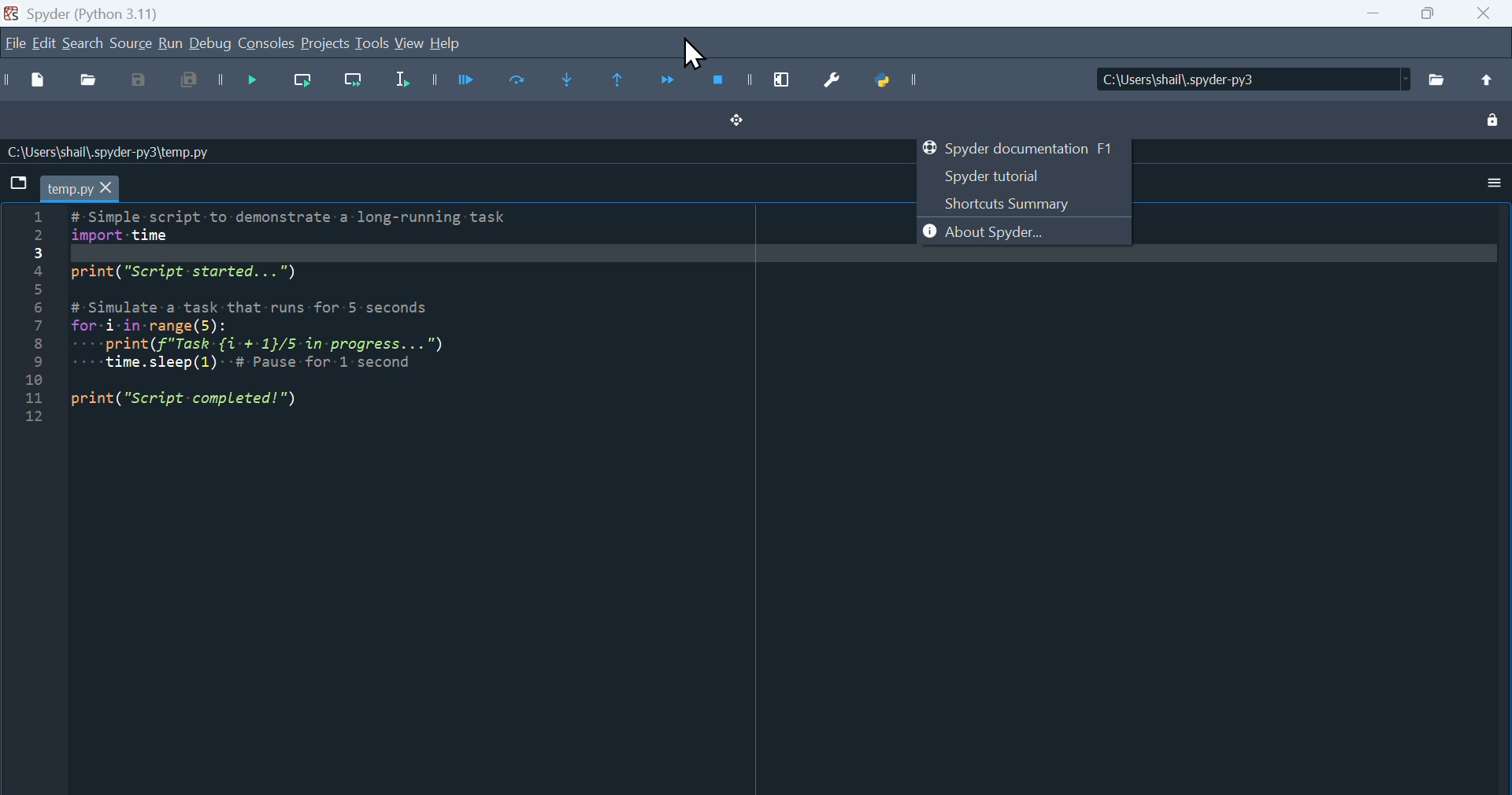  What do you see at coordinates (87, 83) in the screenshot?
I see `Open` at bounding box center [87, 83].